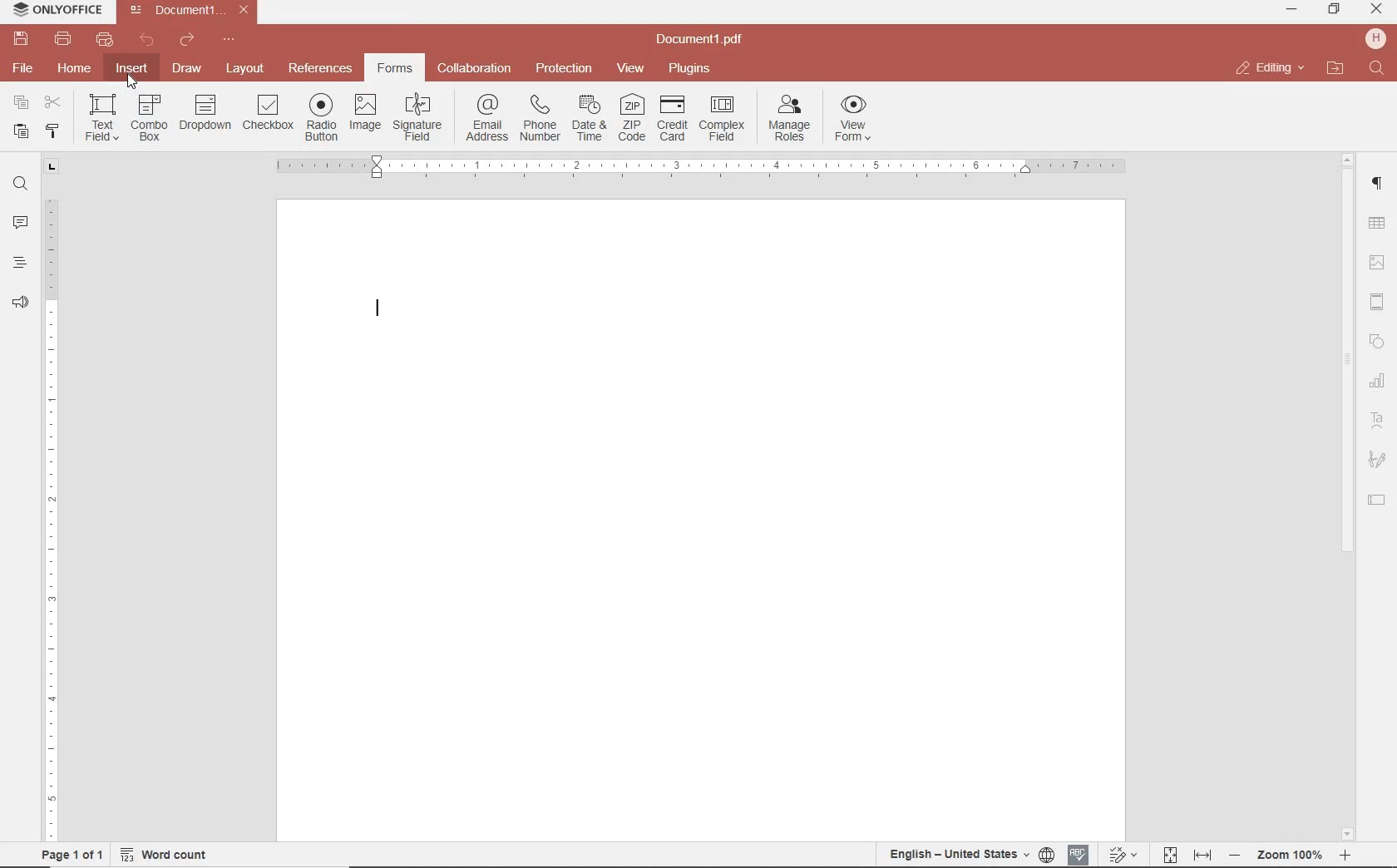 The width and height of the screenshot is (1397, 868). Describe the element at coordinates (378, 309) in the screenshot. I see `EDITOR` at that location.